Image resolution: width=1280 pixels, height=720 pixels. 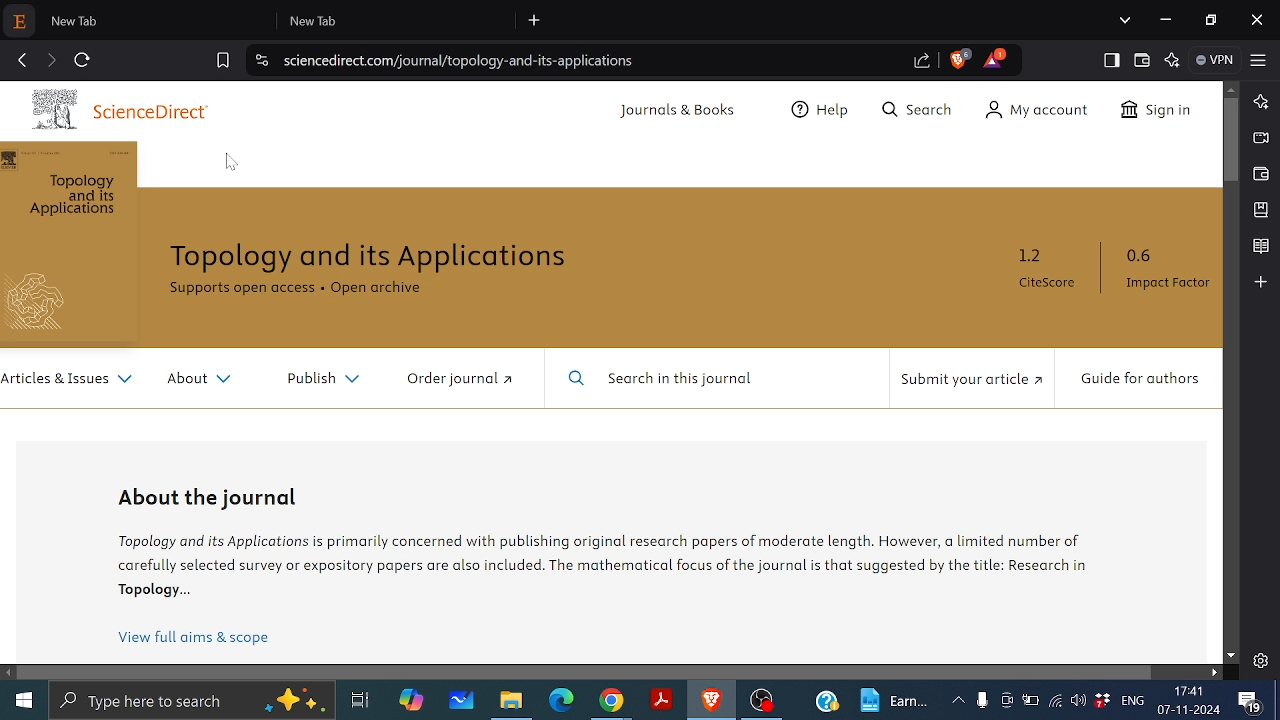 What do you see at coordinates (1138, 380) in the screenshot?
I see `Guide for authors` at bounding box center [1138, 380].